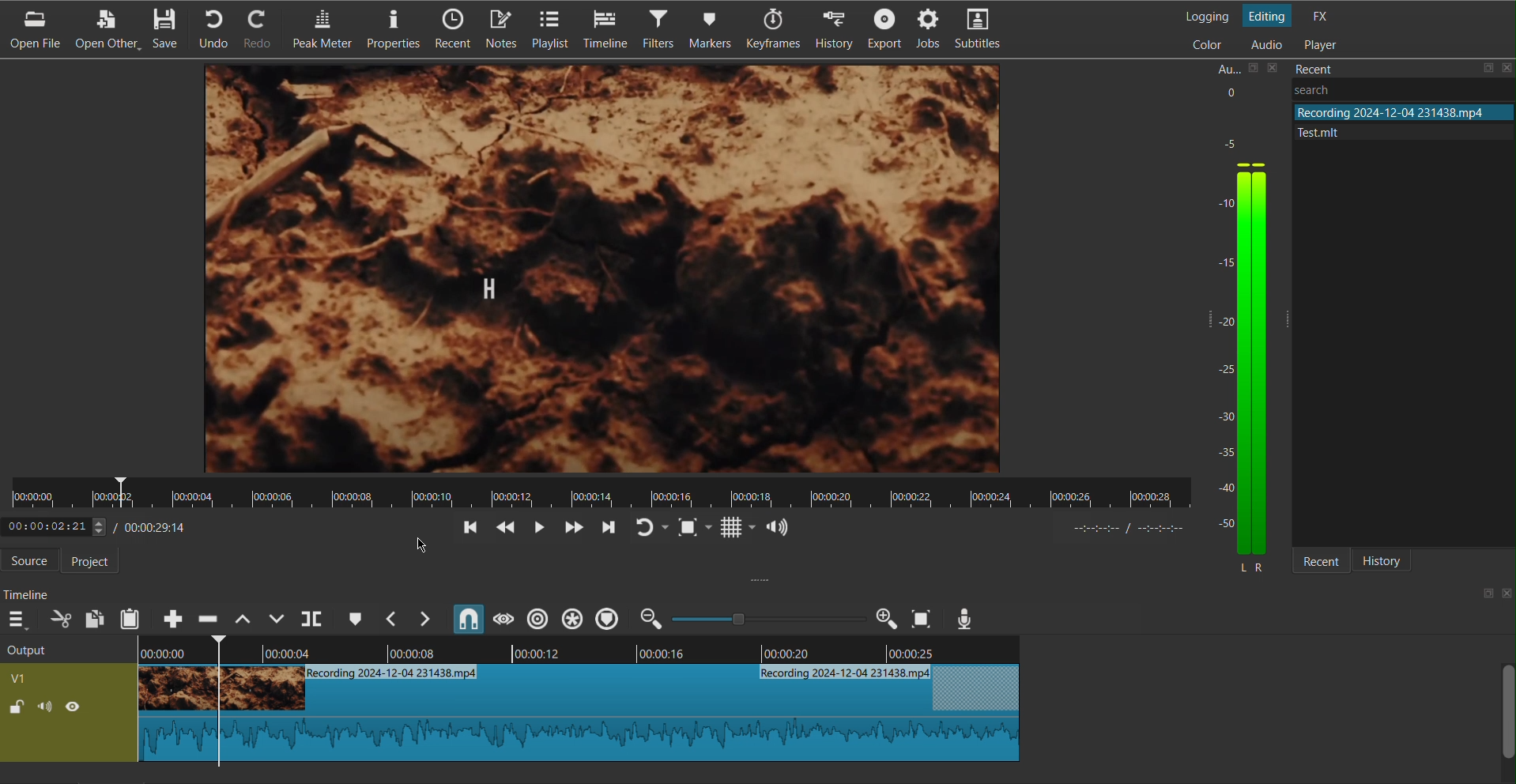 Image resolution: width=1516 pixels, height=784 pixels. I want to click on Color, so click(1205, 43).